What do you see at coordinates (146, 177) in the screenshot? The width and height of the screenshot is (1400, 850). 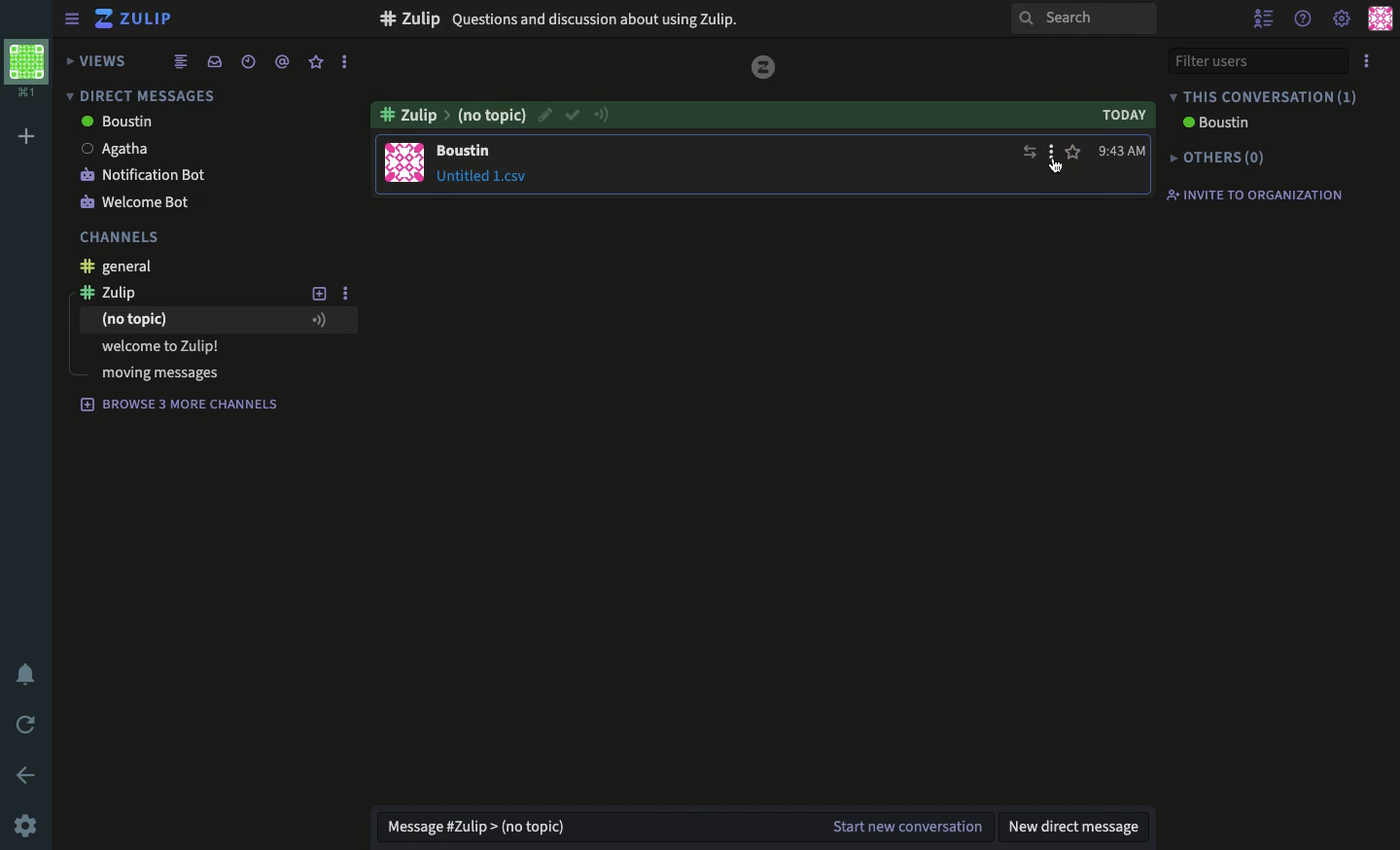 I see `notification bot` at bounding box center [146, 177].